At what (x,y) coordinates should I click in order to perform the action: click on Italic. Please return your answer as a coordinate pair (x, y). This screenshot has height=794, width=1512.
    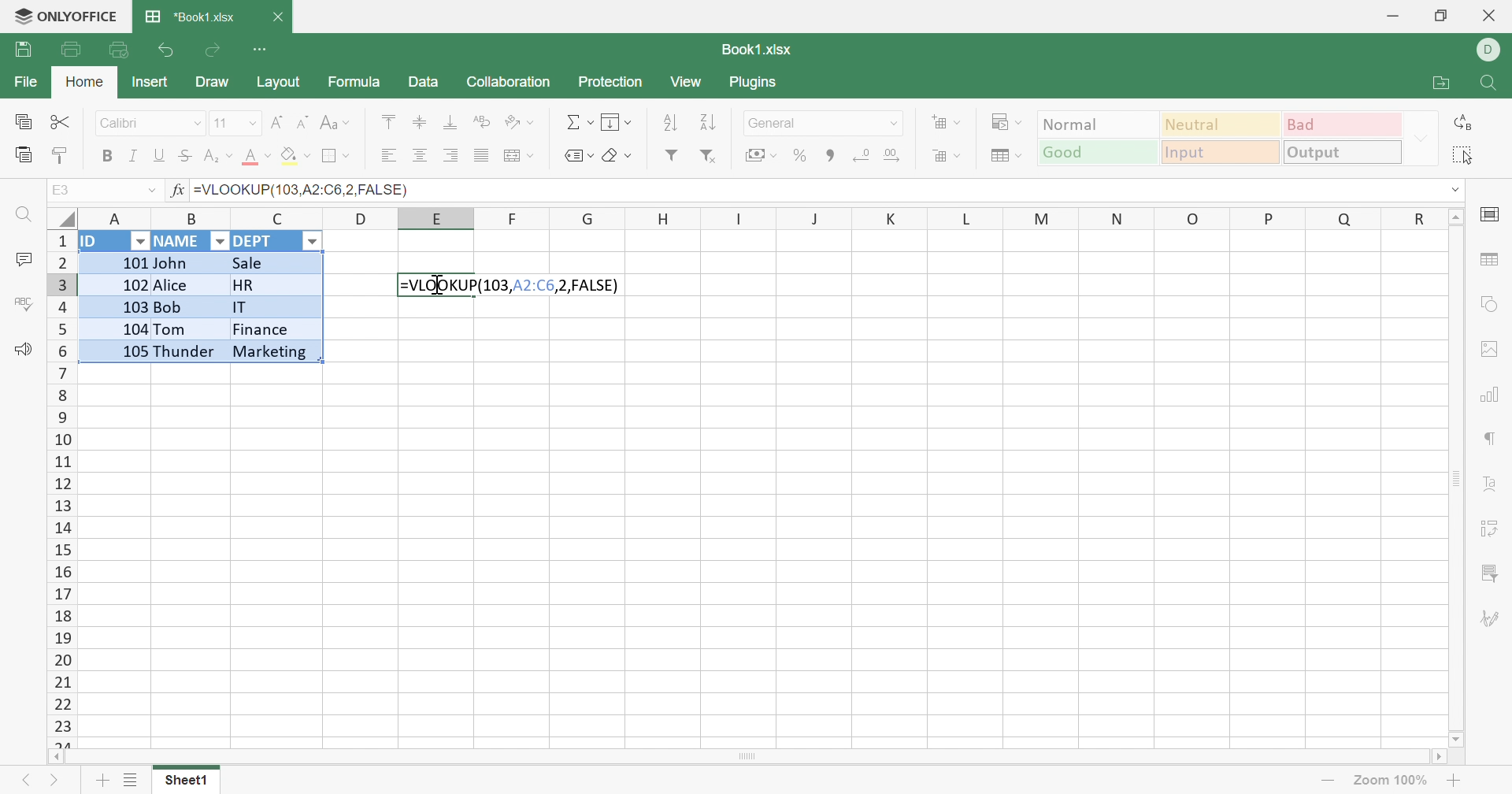
    Looking at the image, I should click on (134, 157).